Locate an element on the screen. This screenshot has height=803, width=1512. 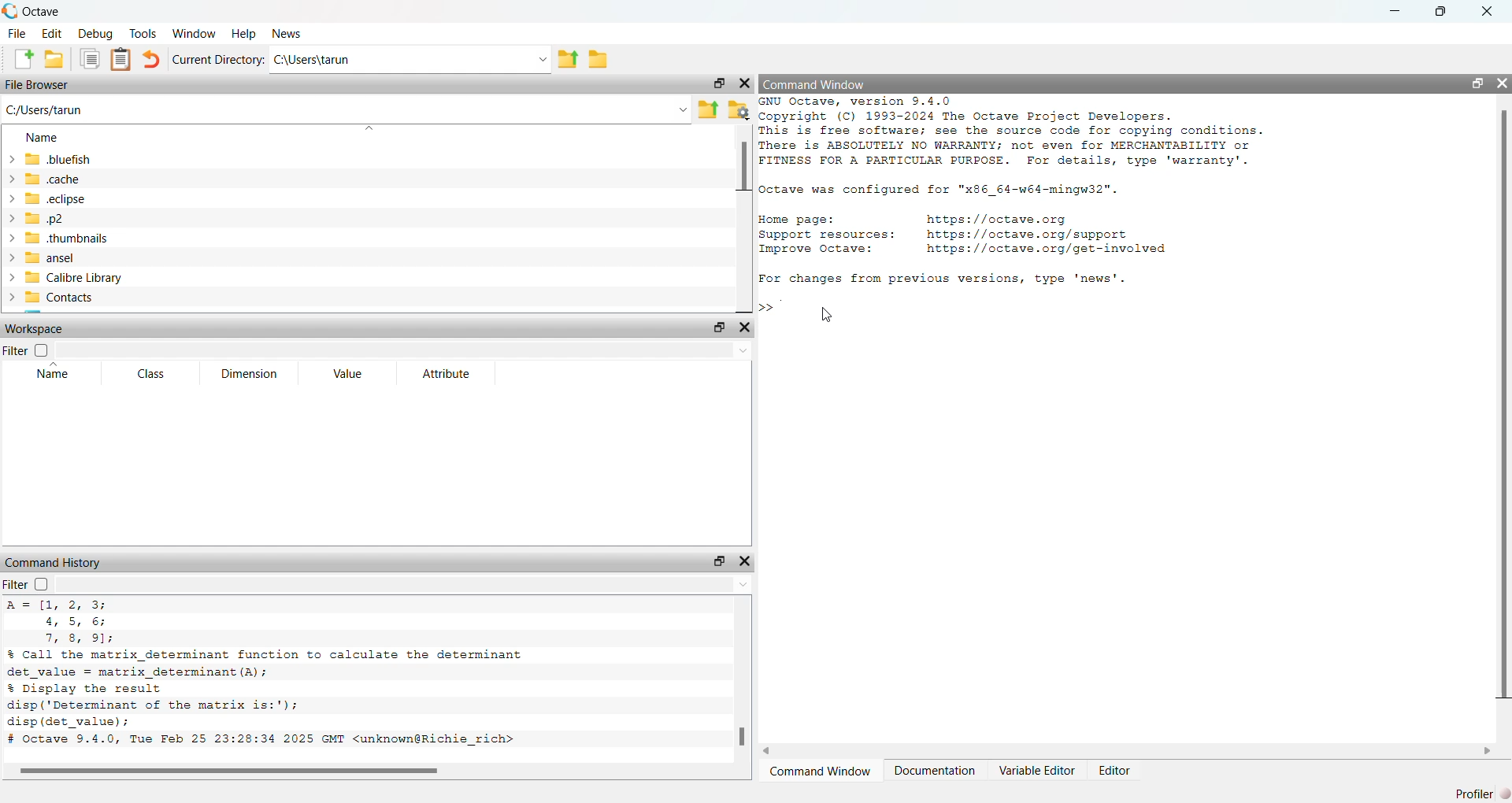
Tools is located at coordinates (144, 33).